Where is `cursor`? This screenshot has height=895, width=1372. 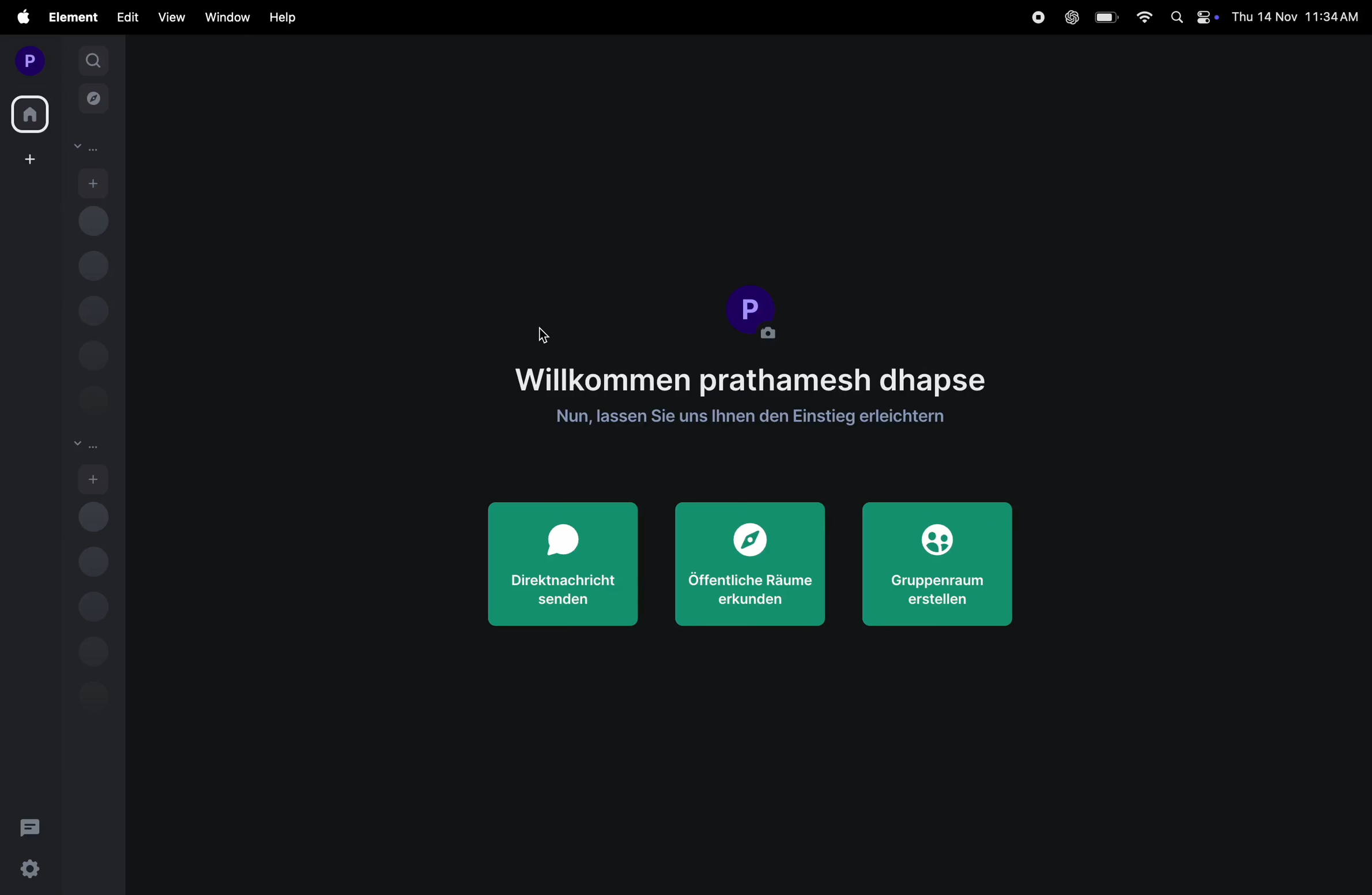
cursor is located at coordinates (537, 334).